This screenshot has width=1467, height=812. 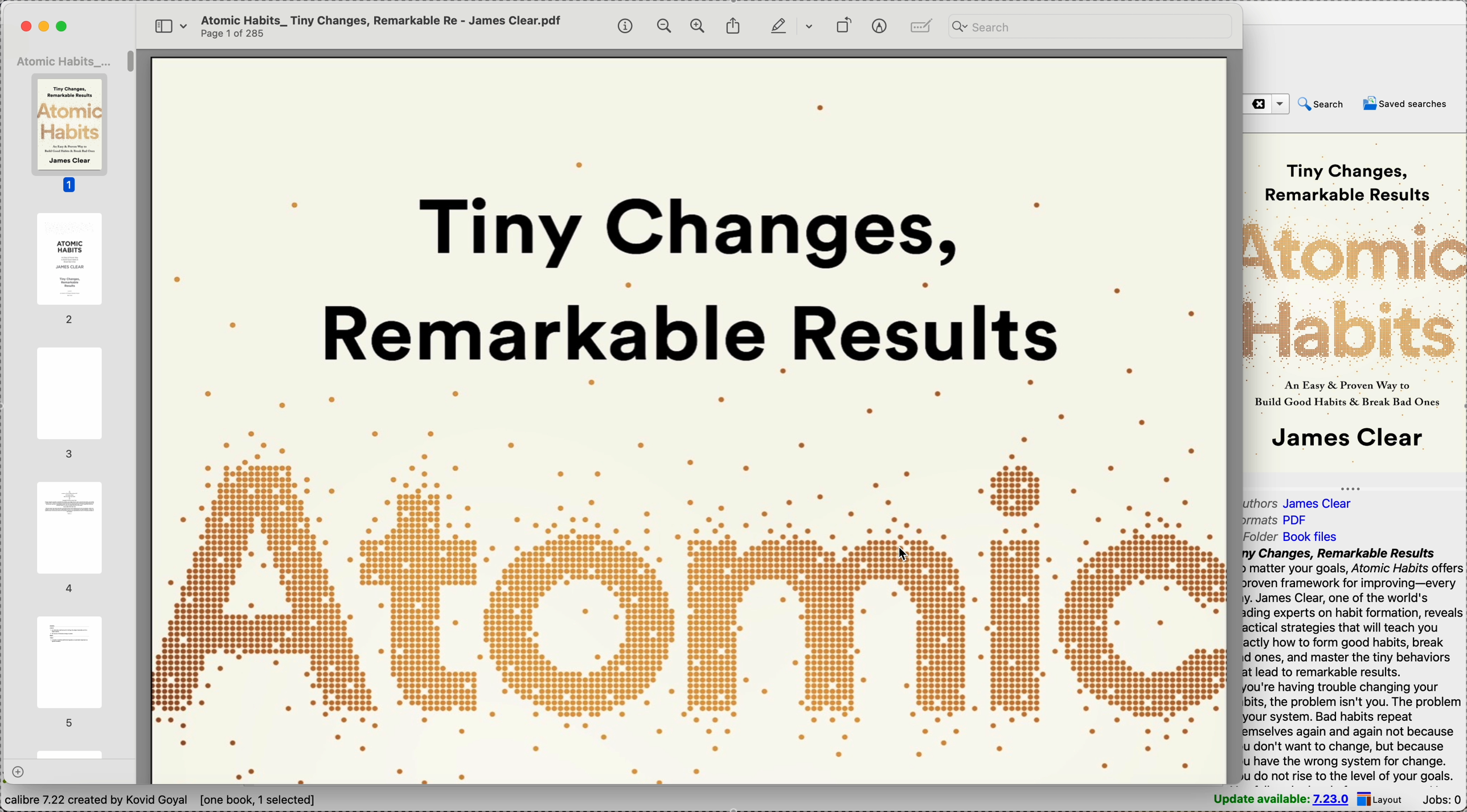 I want to click on book cover preview, so click(x=1346, y=304).